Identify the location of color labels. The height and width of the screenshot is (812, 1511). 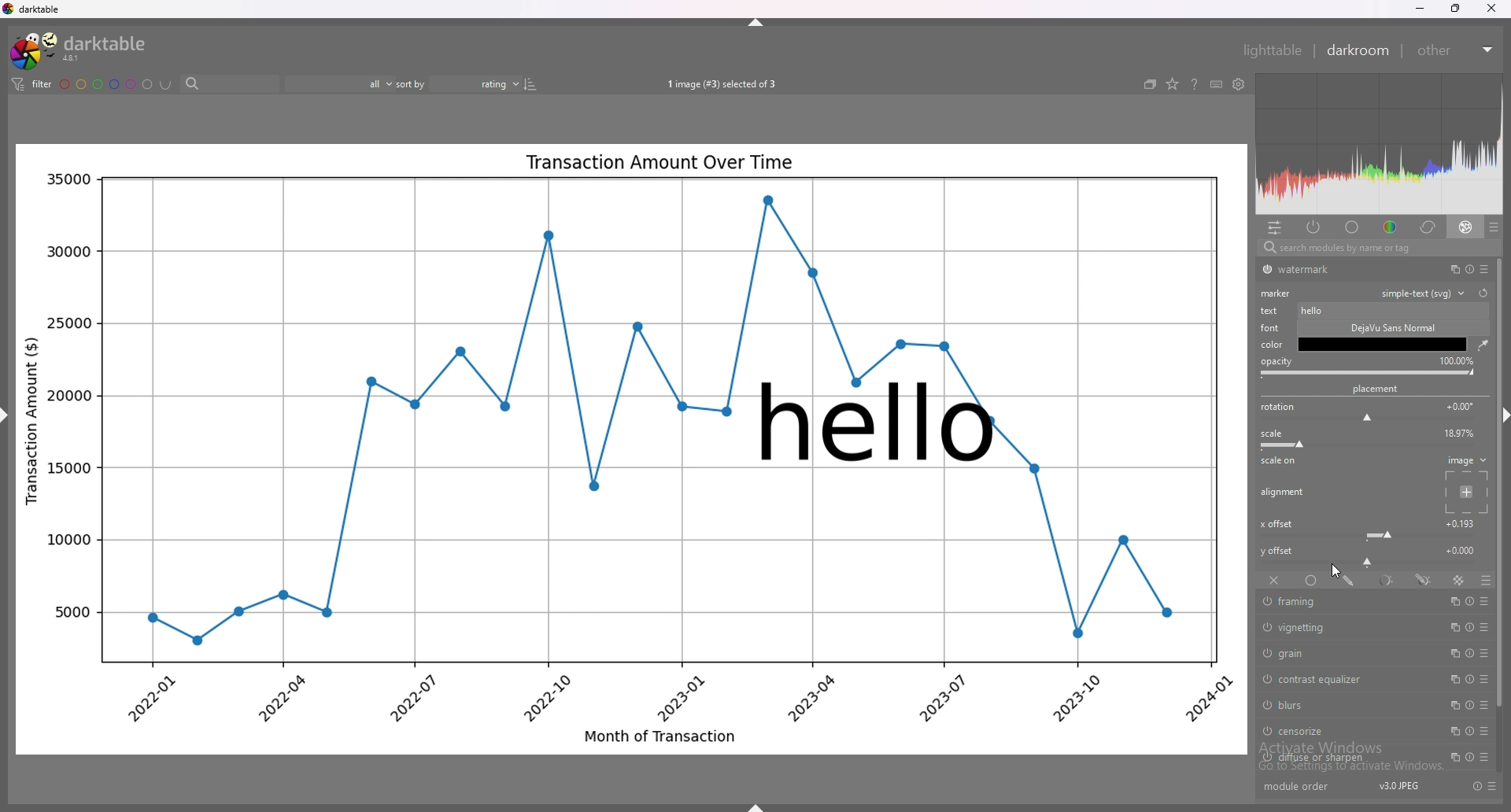
(106, 83).